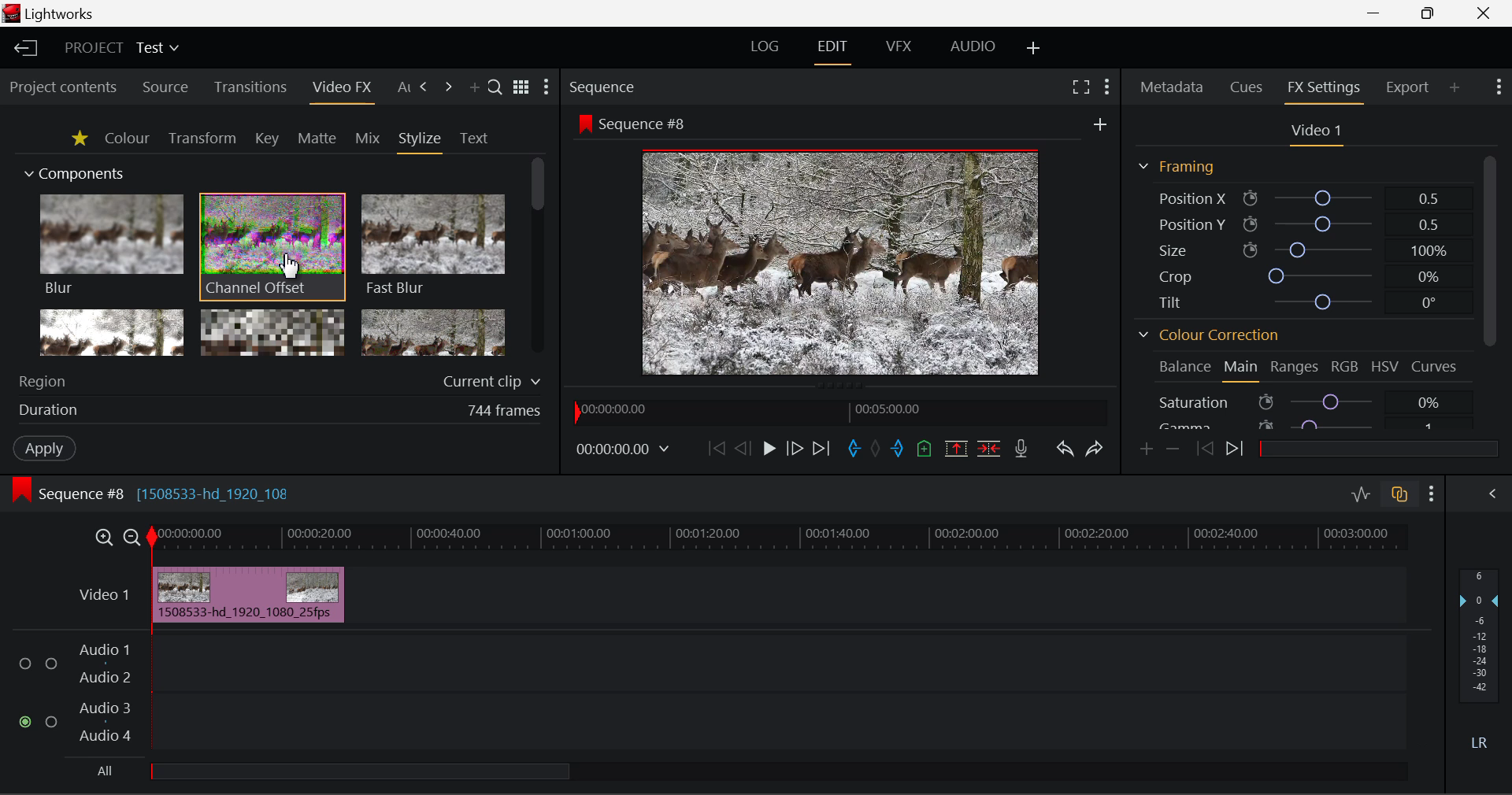 Image resolution: width=1512 pixels, height=795 pixels. I want to click on Export, so click(1408, 87).